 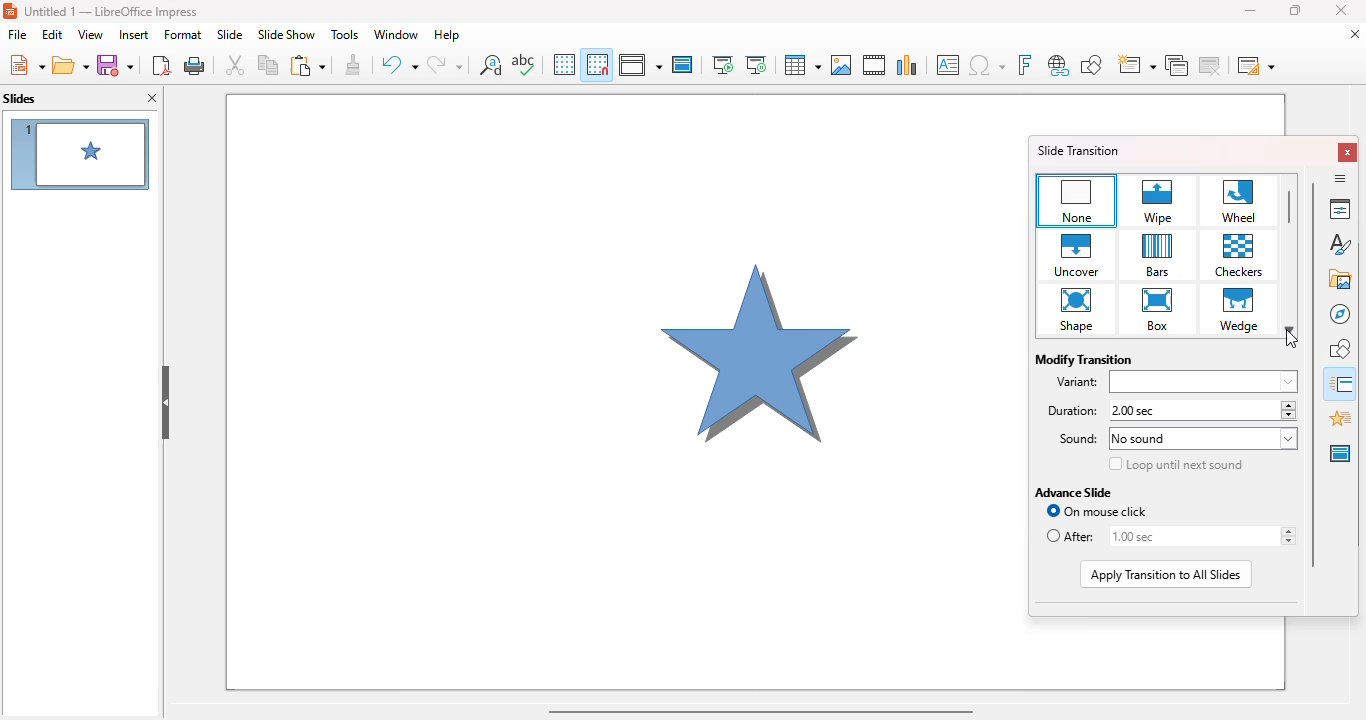 I want to click on edit after time, so click(x=1188, y=536).